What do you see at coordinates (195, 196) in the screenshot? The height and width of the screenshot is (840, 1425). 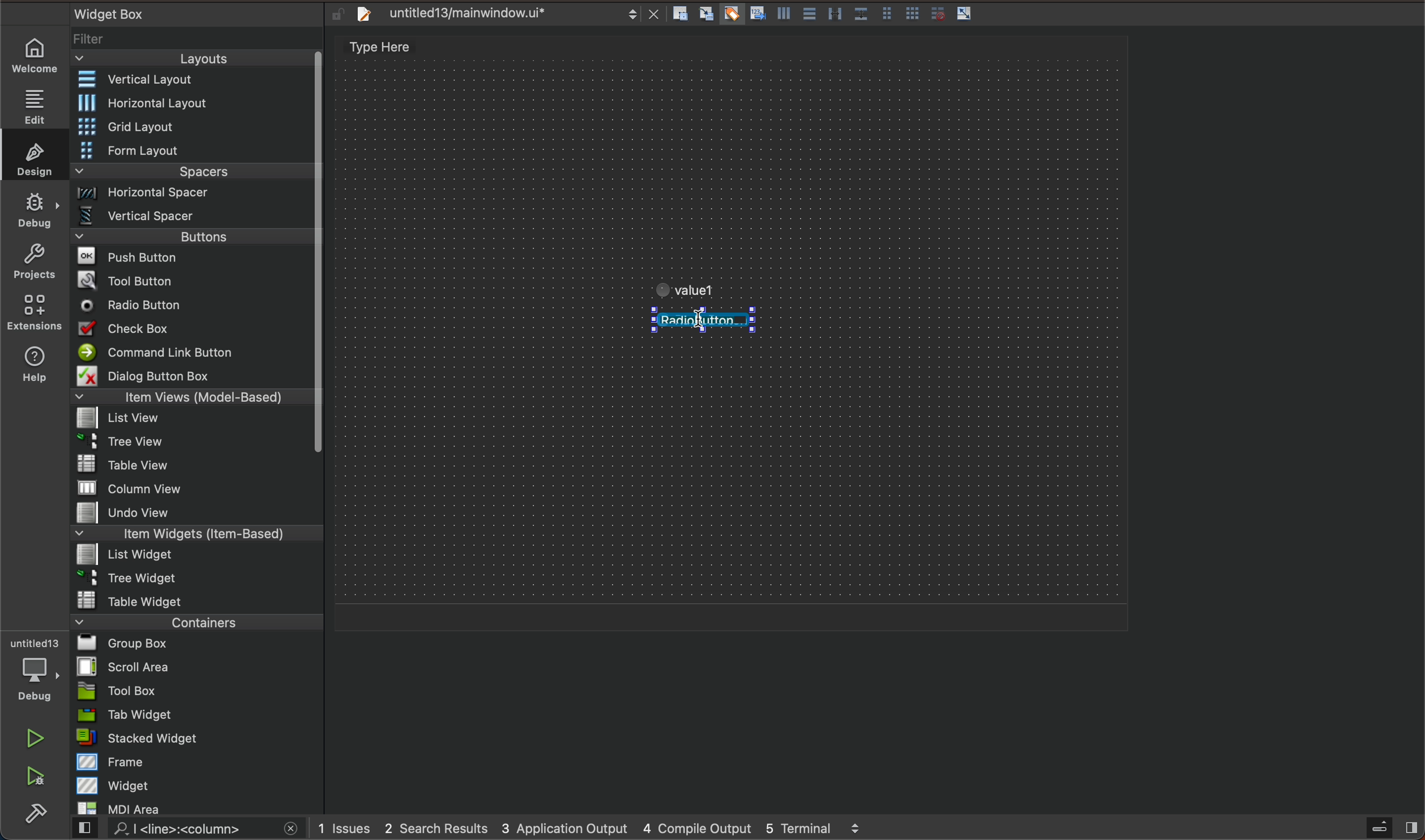 I see `` at bounding box center [195, 196].